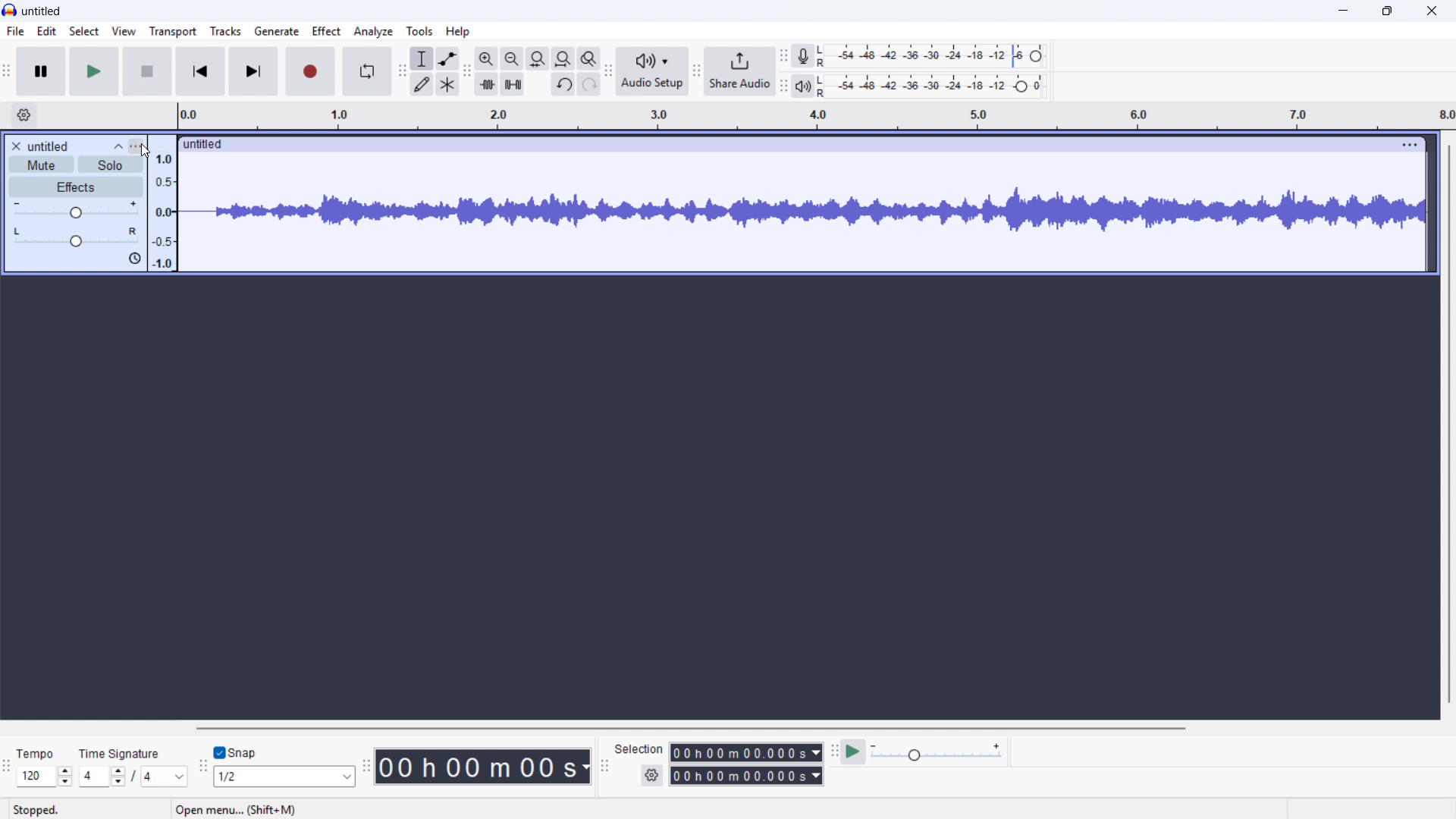 Image resolution: width=1456 pixels, height=819 pixels. What do you see at coordinates (512, 58) in the screenshot?
I see `Zoom out ` at bounding box center [512, 58].